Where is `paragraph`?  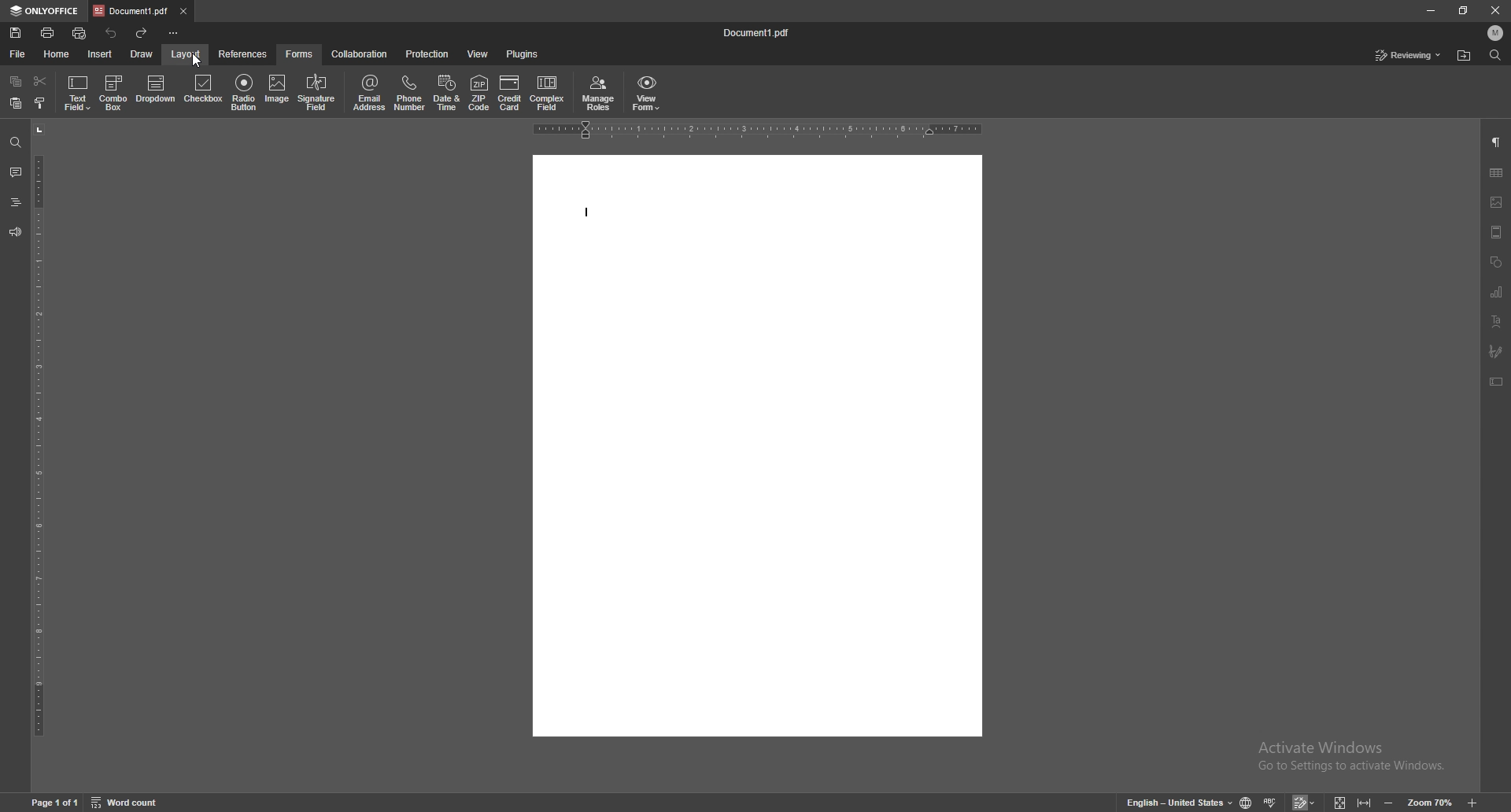
paragraph is located at coordinates (1496, 143).